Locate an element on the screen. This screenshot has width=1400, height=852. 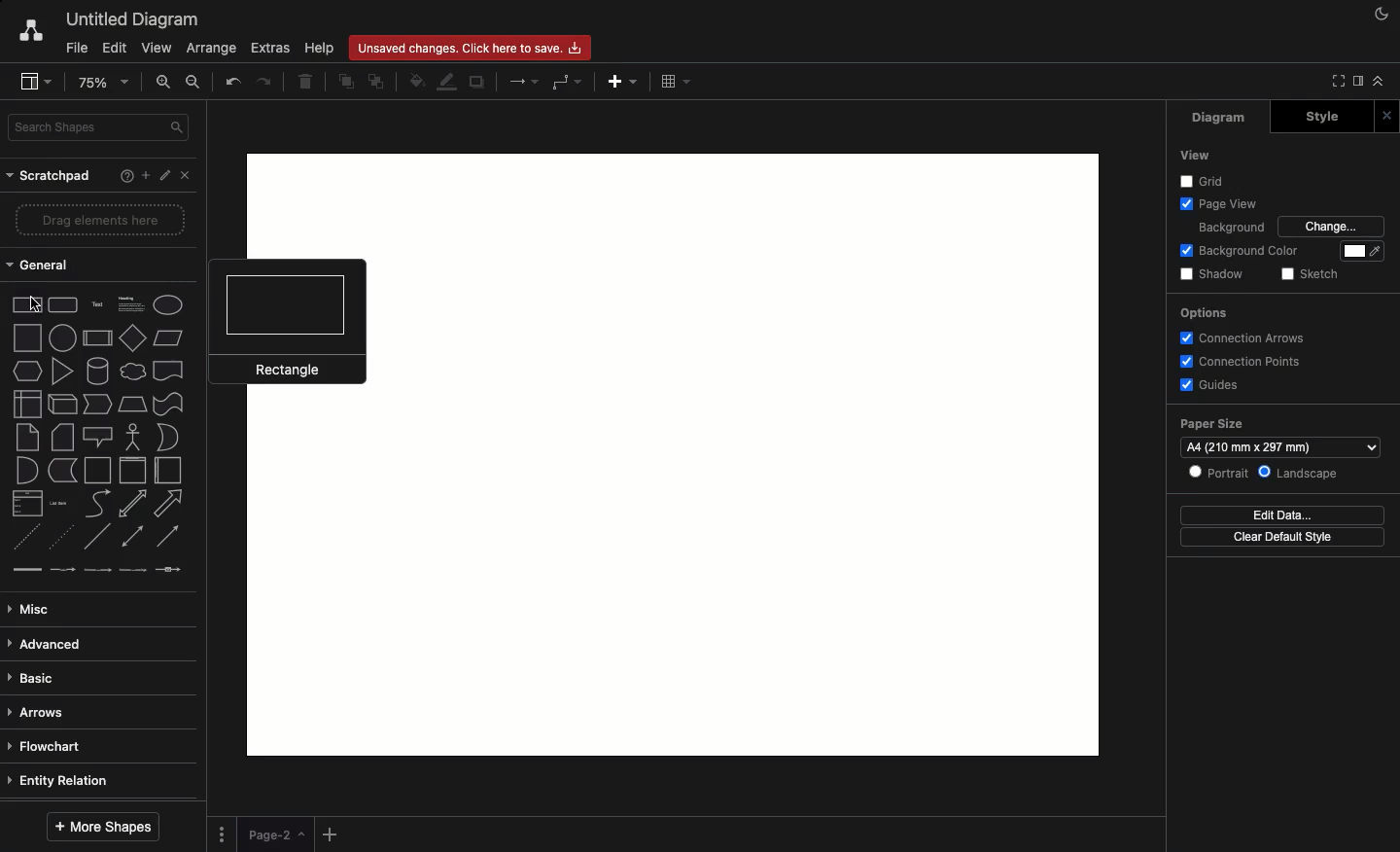
Zoom in is located at coordinates (164, 85).